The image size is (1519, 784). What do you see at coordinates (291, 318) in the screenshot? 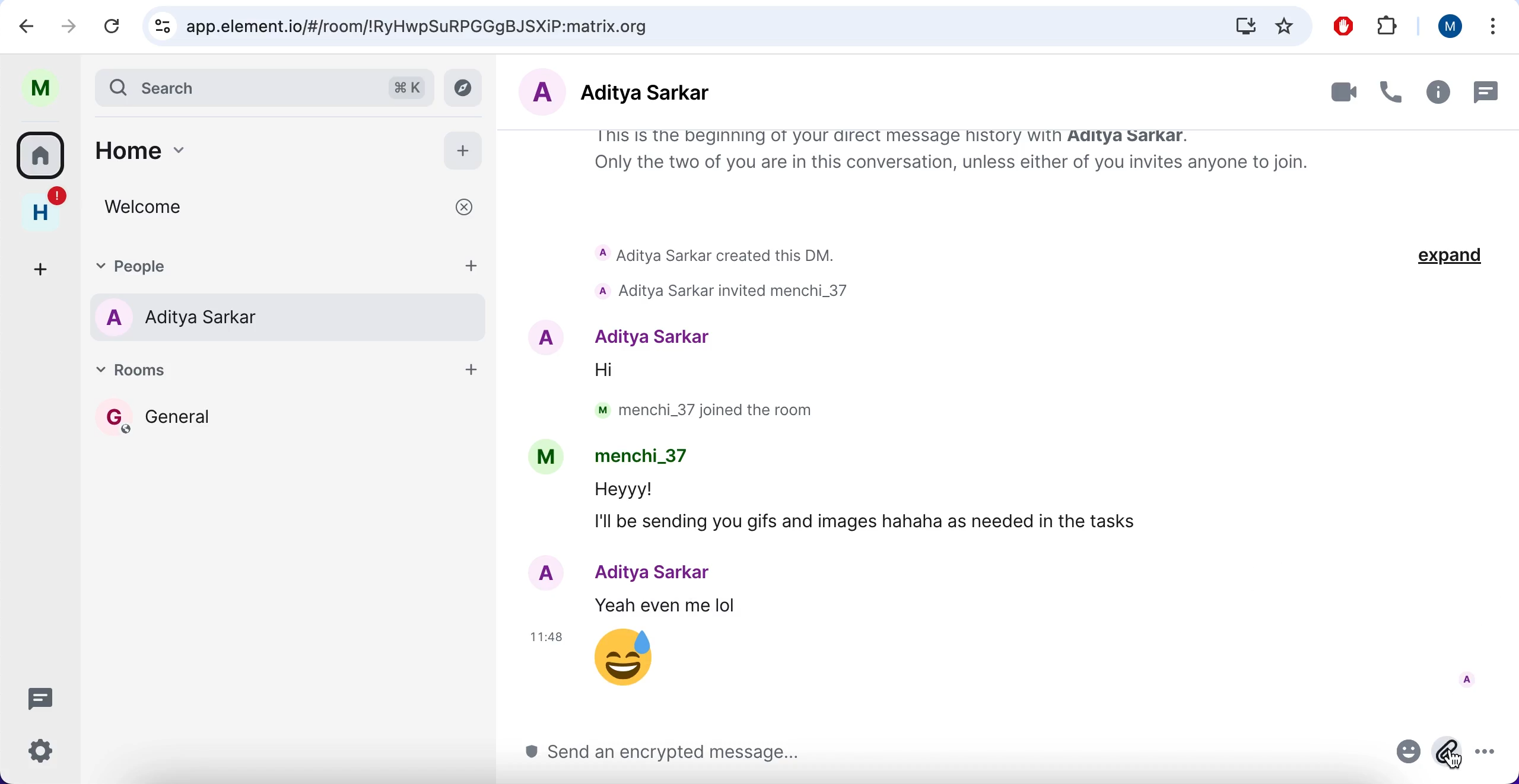
I see `people` at bounding box center [291, 318].